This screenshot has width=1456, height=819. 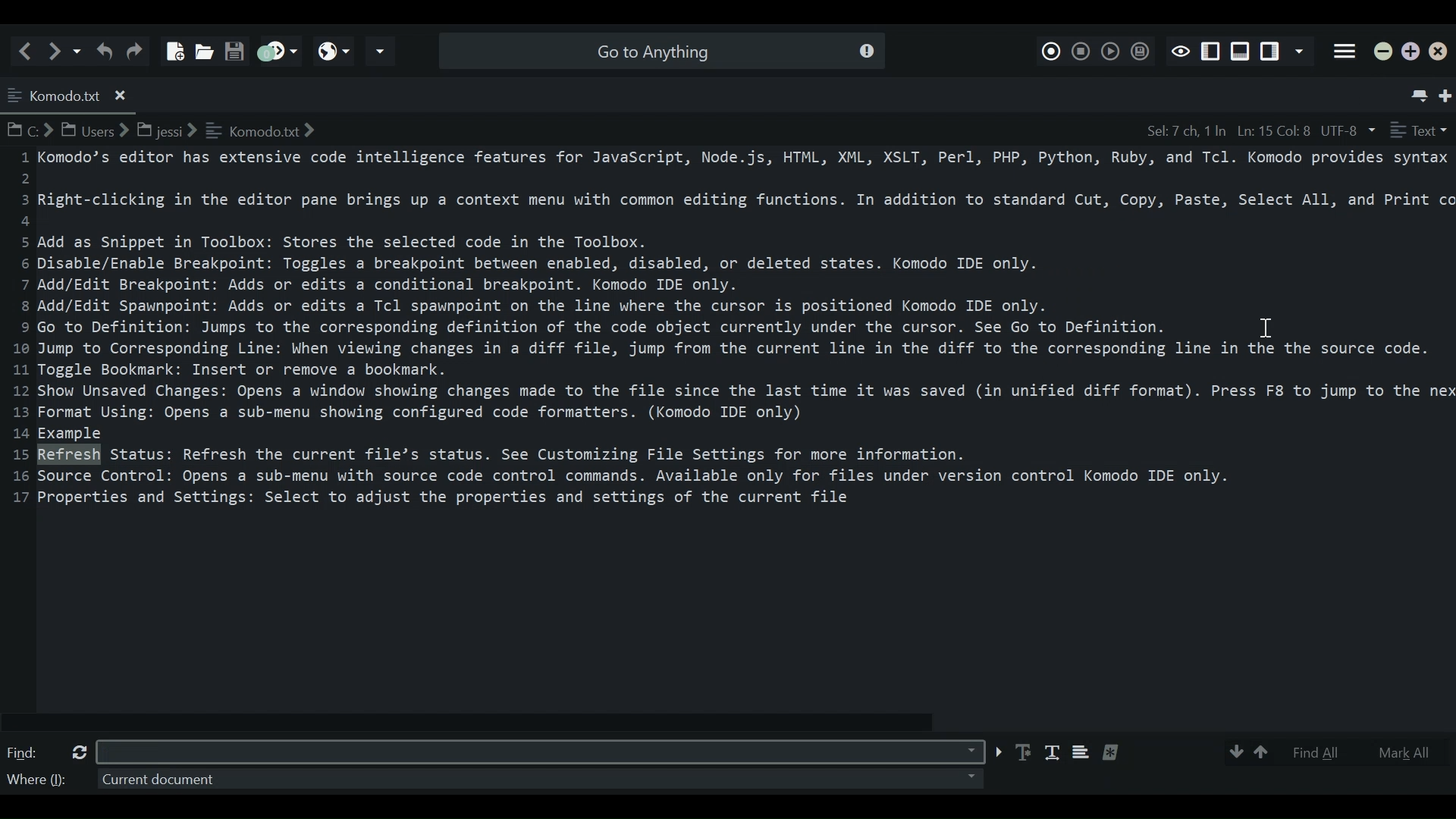 I want to click on Go back one location , so click(x=29, y=50).